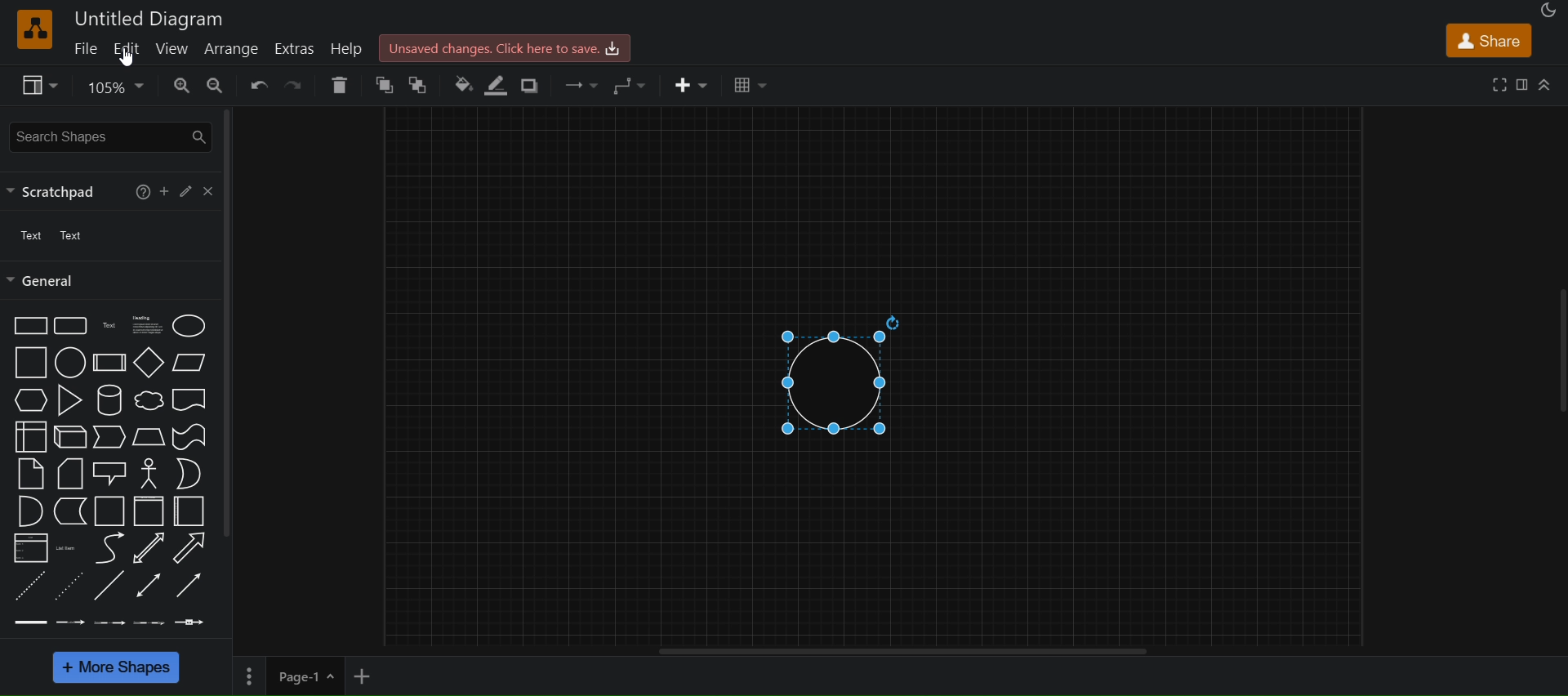 The height and width of the screenshot is (696, 1568). I want to click on horizontal container, so click(192, 511).